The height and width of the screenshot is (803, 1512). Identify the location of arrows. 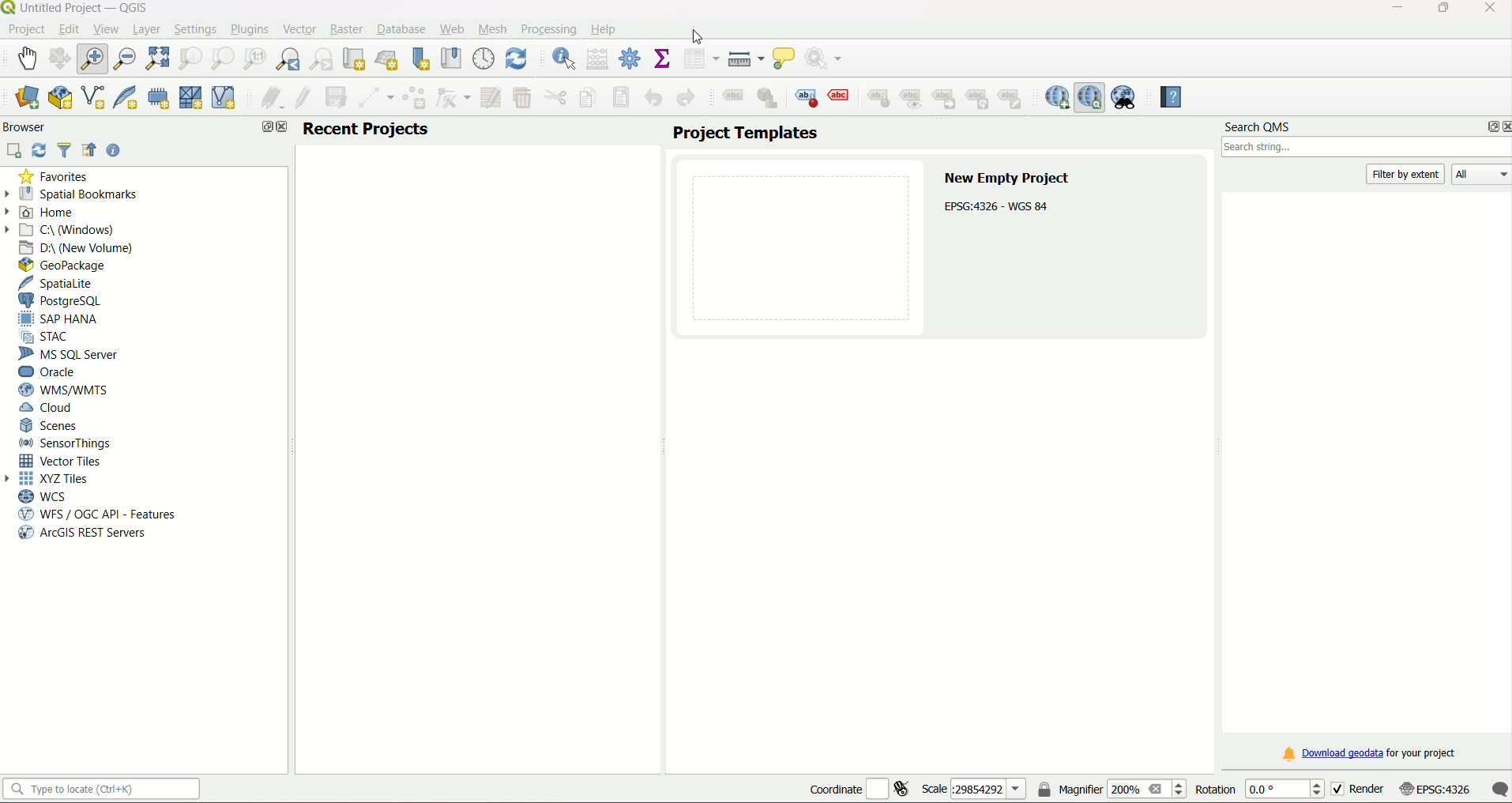
(10, 210).